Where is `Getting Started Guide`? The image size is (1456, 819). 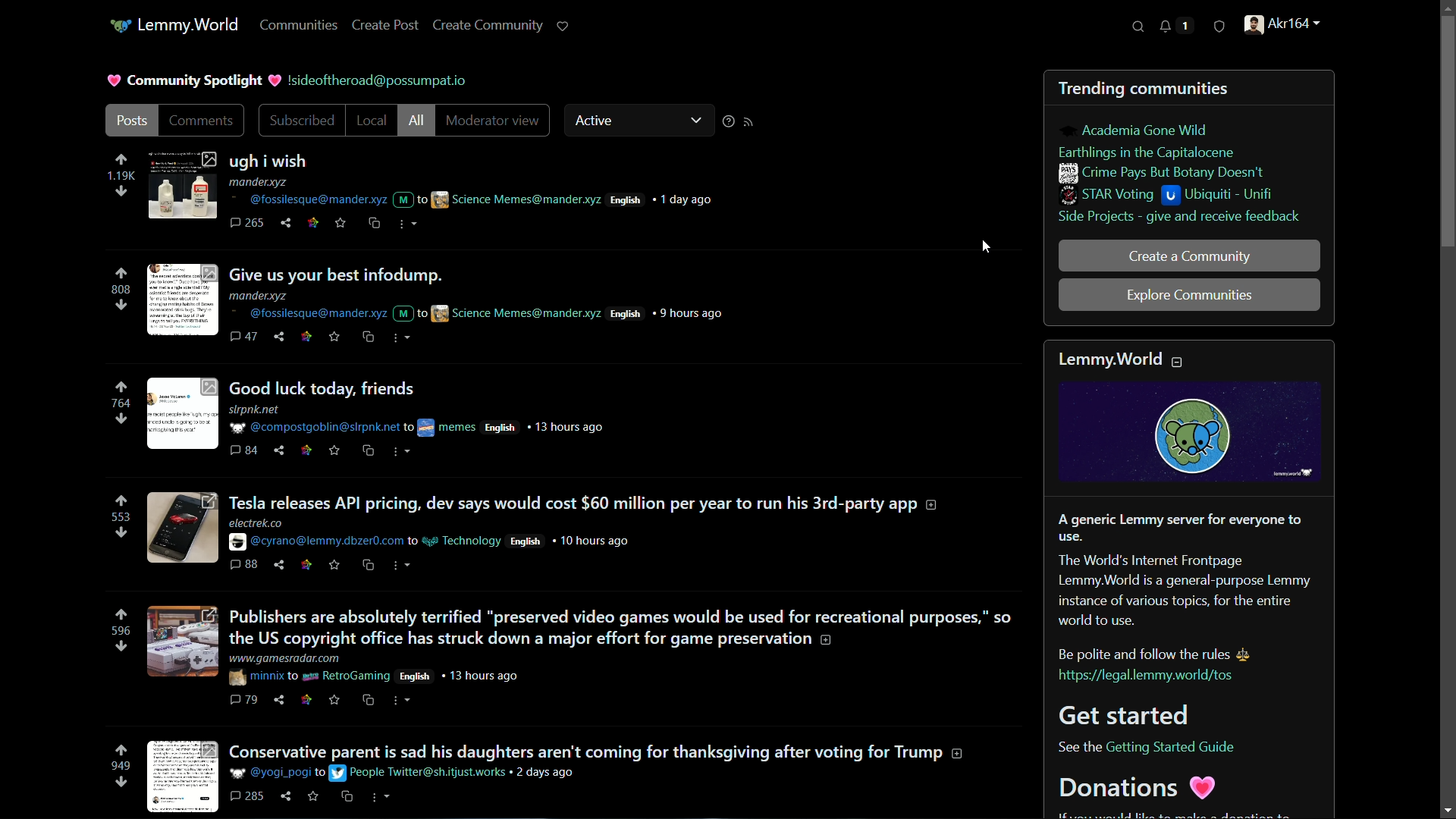
Getting Started Guide is located at coordinates (1172, 747).